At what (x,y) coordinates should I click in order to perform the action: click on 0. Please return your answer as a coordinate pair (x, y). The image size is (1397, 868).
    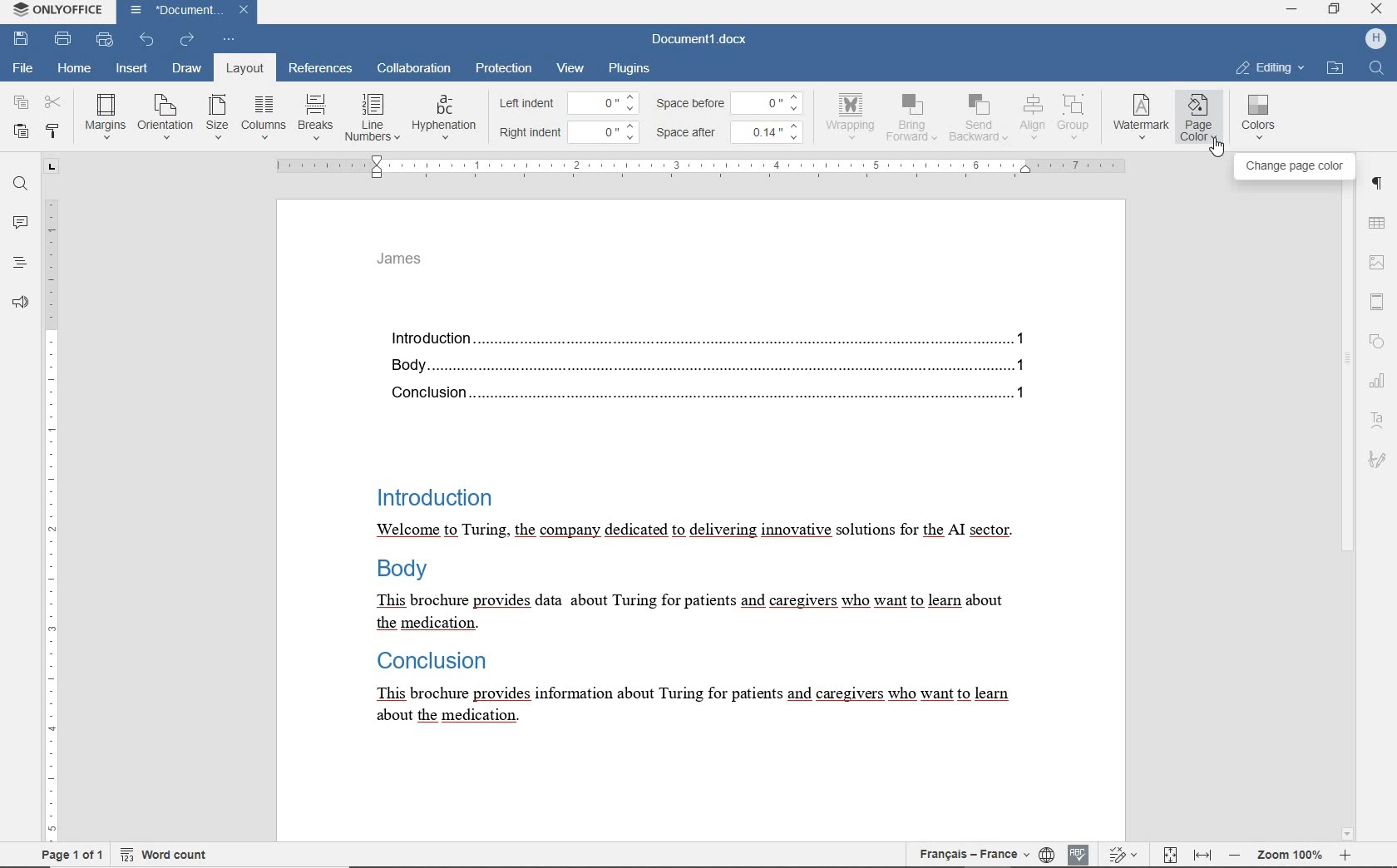
    Looking at the image, I should click on (609, 133).